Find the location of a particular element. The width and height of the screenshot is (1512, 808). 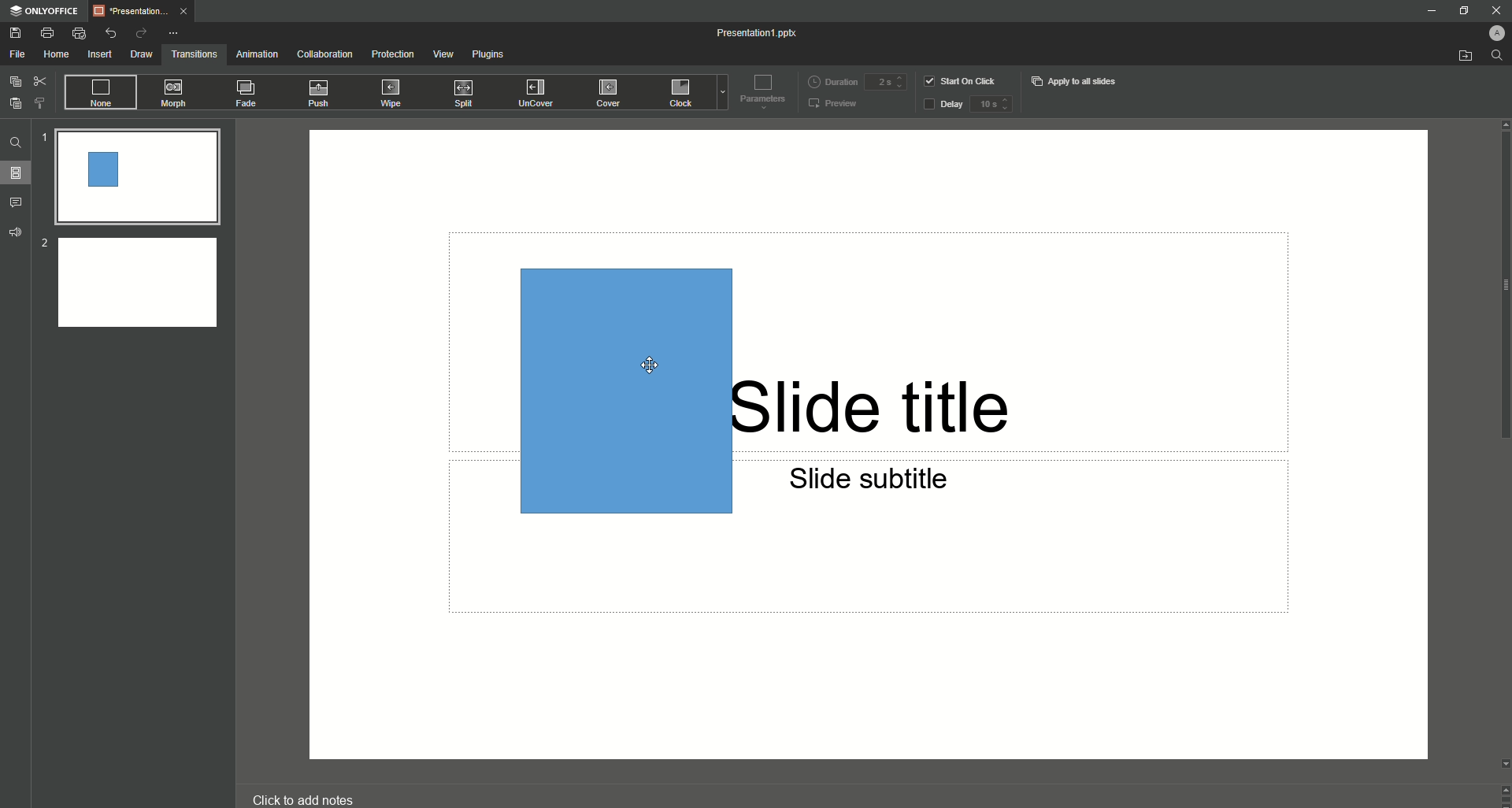

Duration is located at coordinates (826, 80).